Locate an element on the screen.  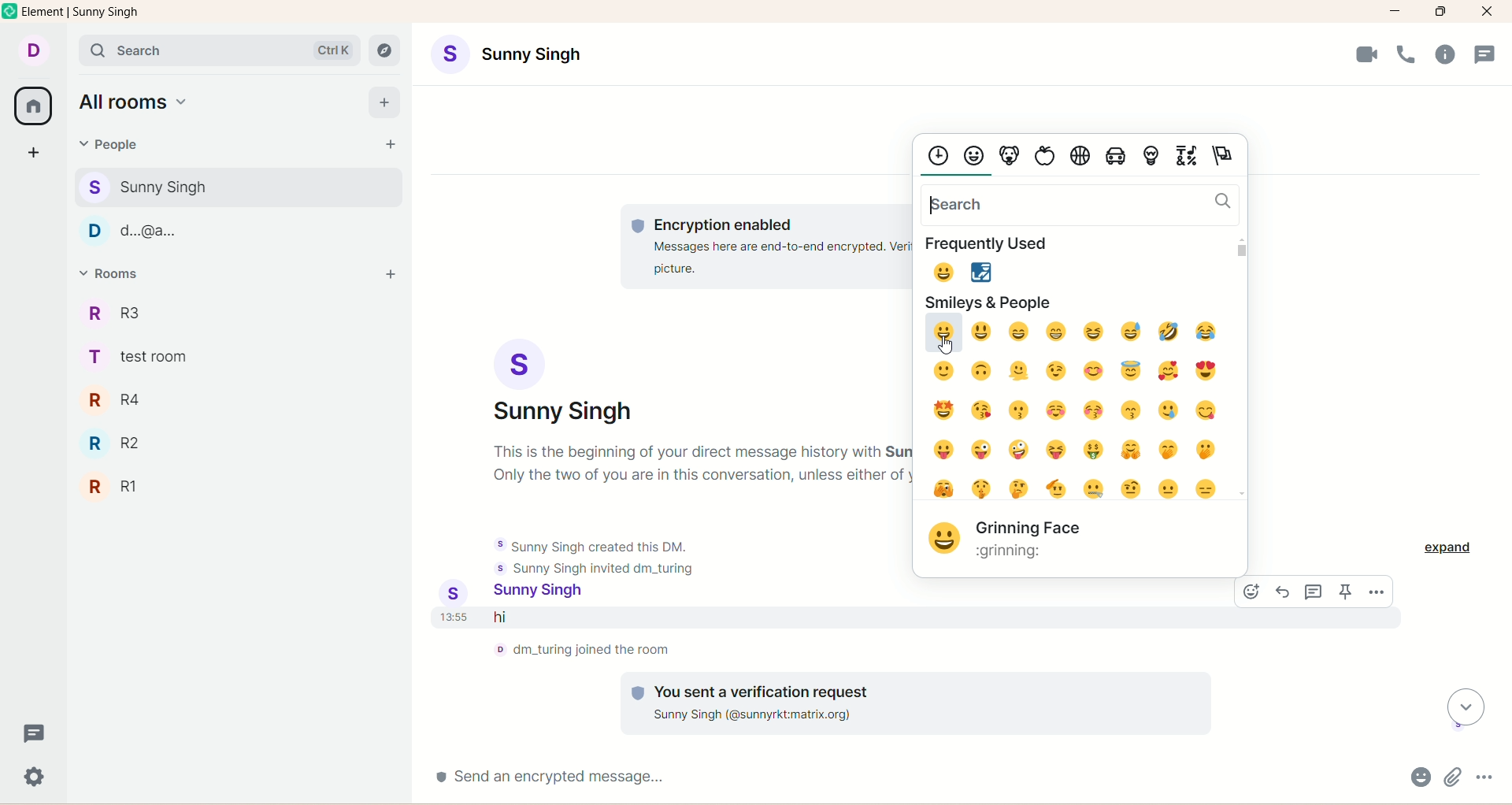
send message is located at coordinates (913, 777).